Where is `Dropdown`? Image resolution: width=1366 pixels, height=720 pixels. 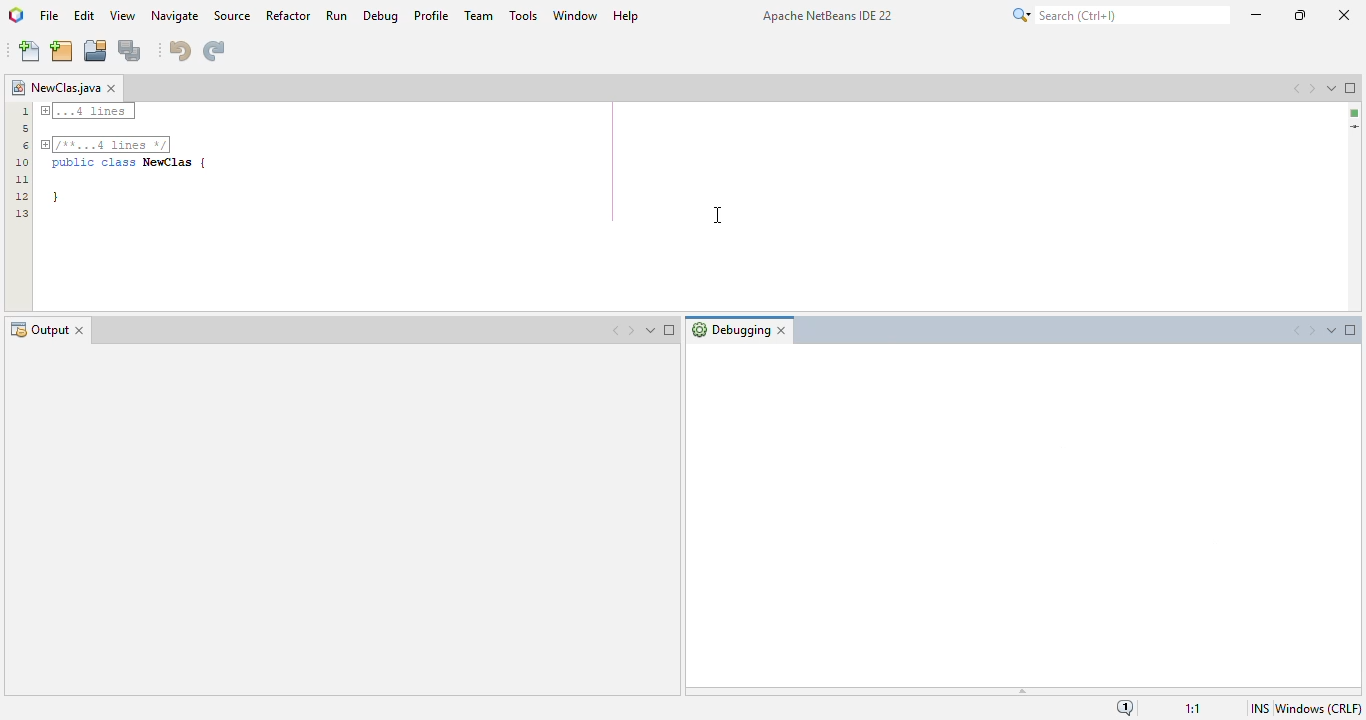
Dropdown is located at coordinates (653, 332).